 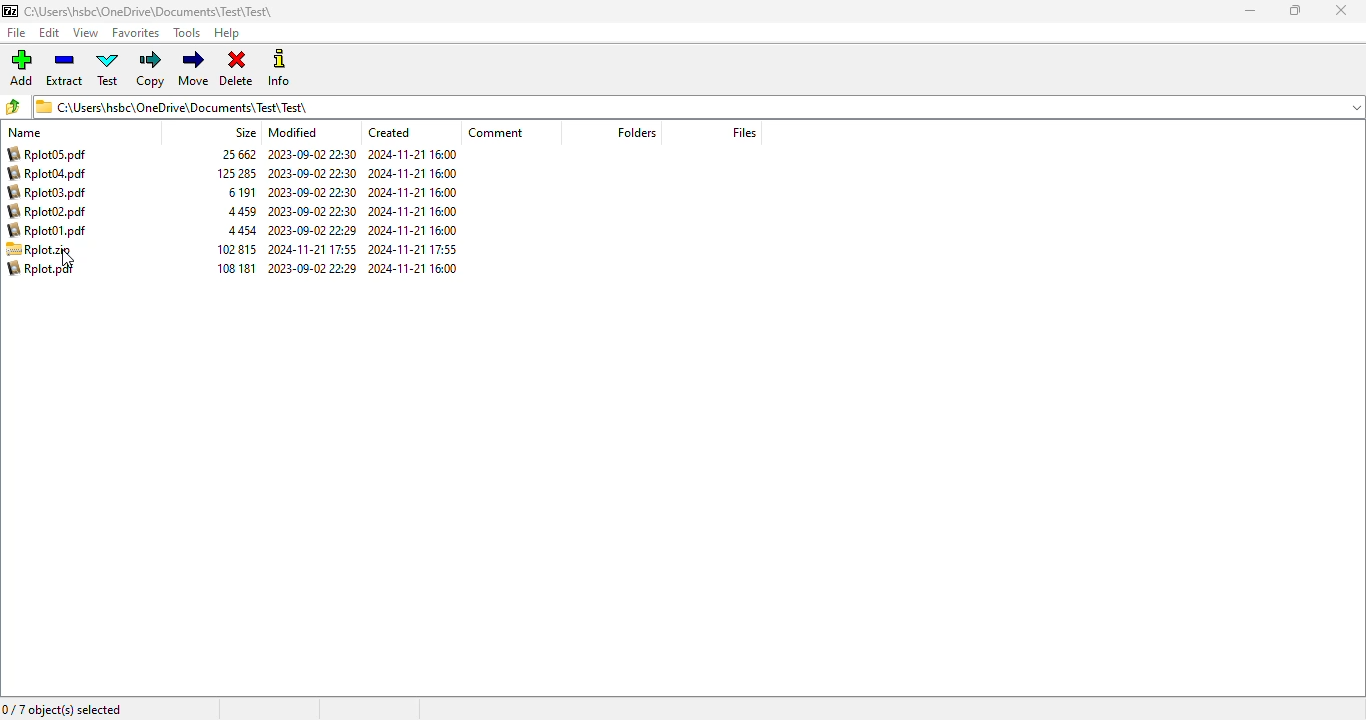 What do you see at coordinates (236, 69) in the screenshot?
I see `delete` at bounding box center [236, 69].